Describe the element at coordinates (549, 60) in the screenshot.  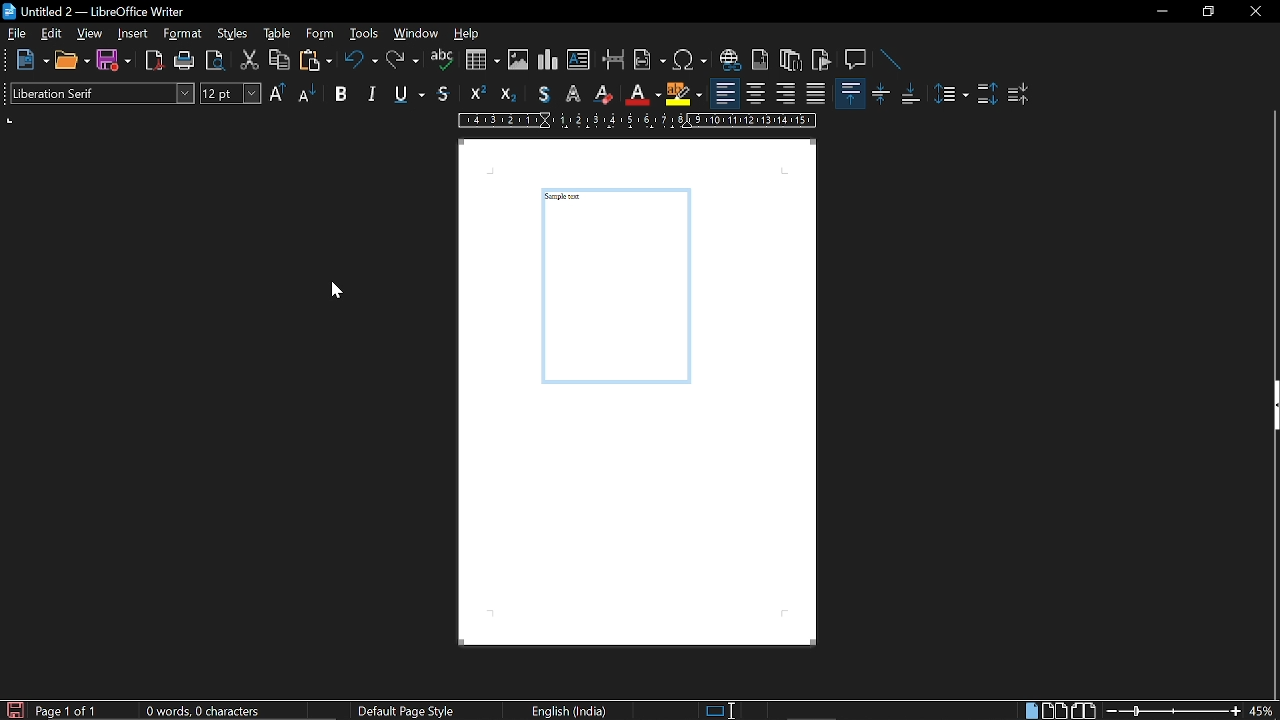
I see `insert chart` at that location.